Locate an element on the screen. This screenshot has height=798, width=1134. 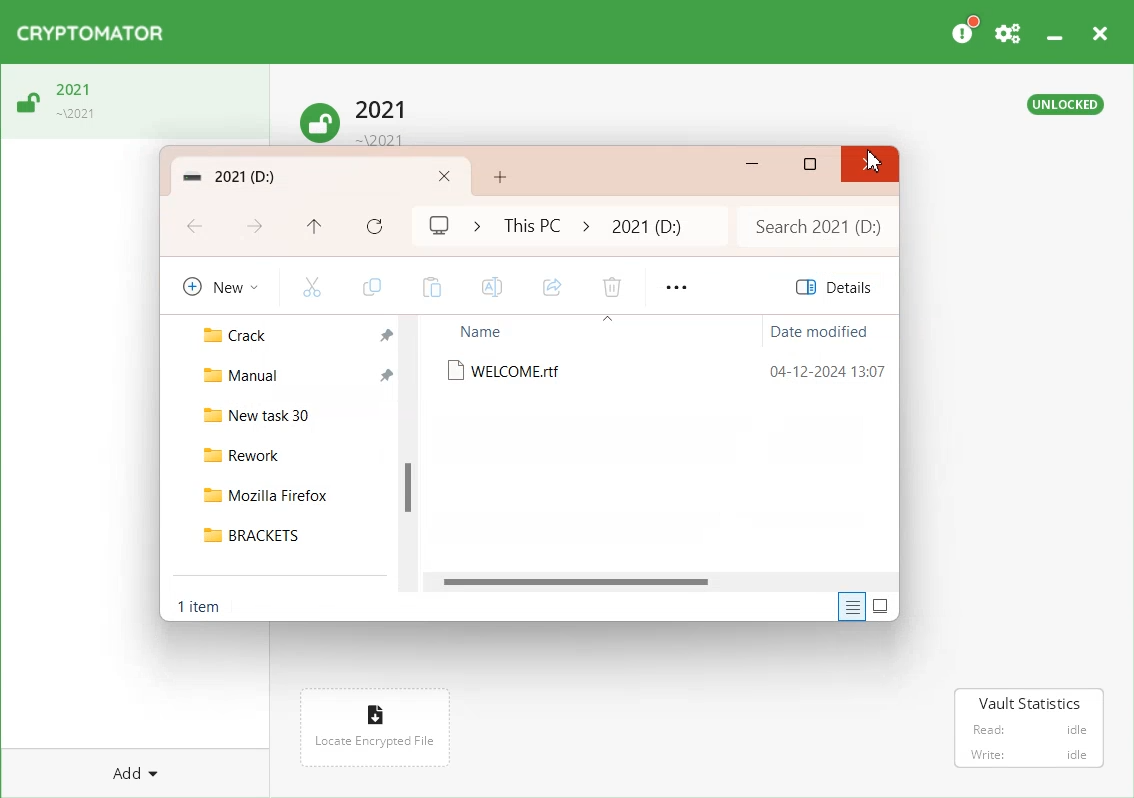
Please Consider donating is located at coordinates (964, 30).